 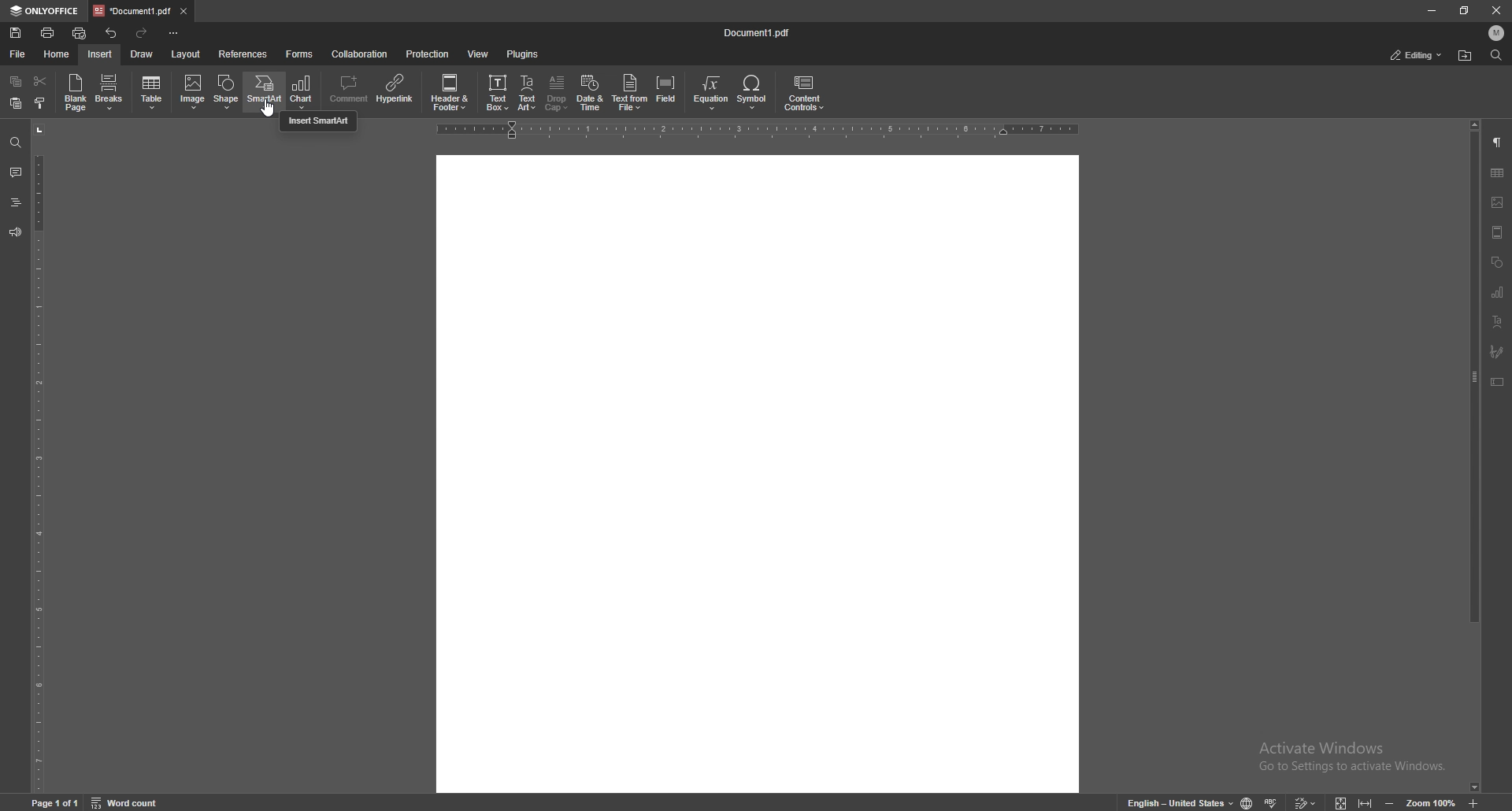 What do you see at coordinates (132, 11) in the screenshot?
I see `tab` at bounding box center [132, 11].